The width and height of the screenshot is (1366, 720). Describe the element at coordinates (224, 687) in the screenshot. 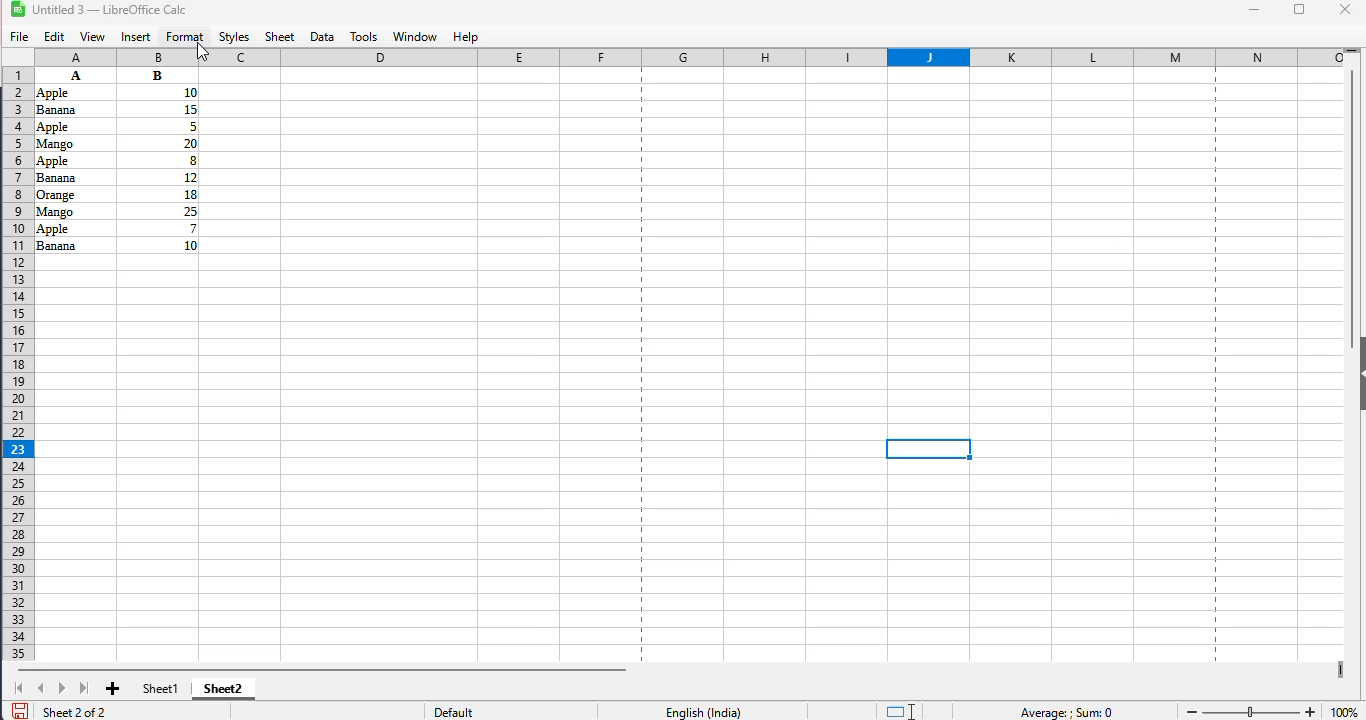

I see `sheet2` at that location.